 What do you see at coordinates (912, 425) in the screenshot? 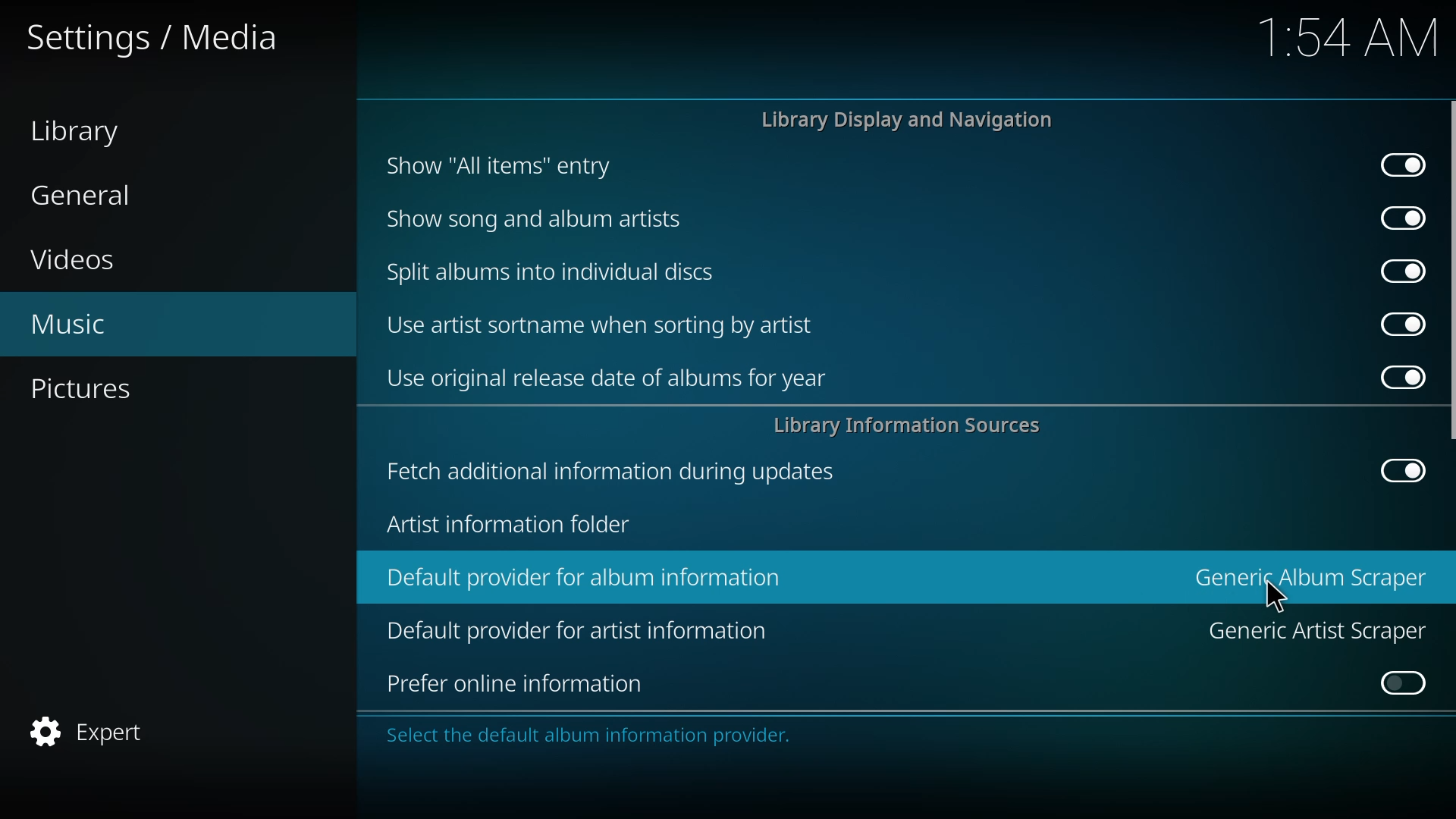
I see `library info sources` at bounding box center [912, 425].